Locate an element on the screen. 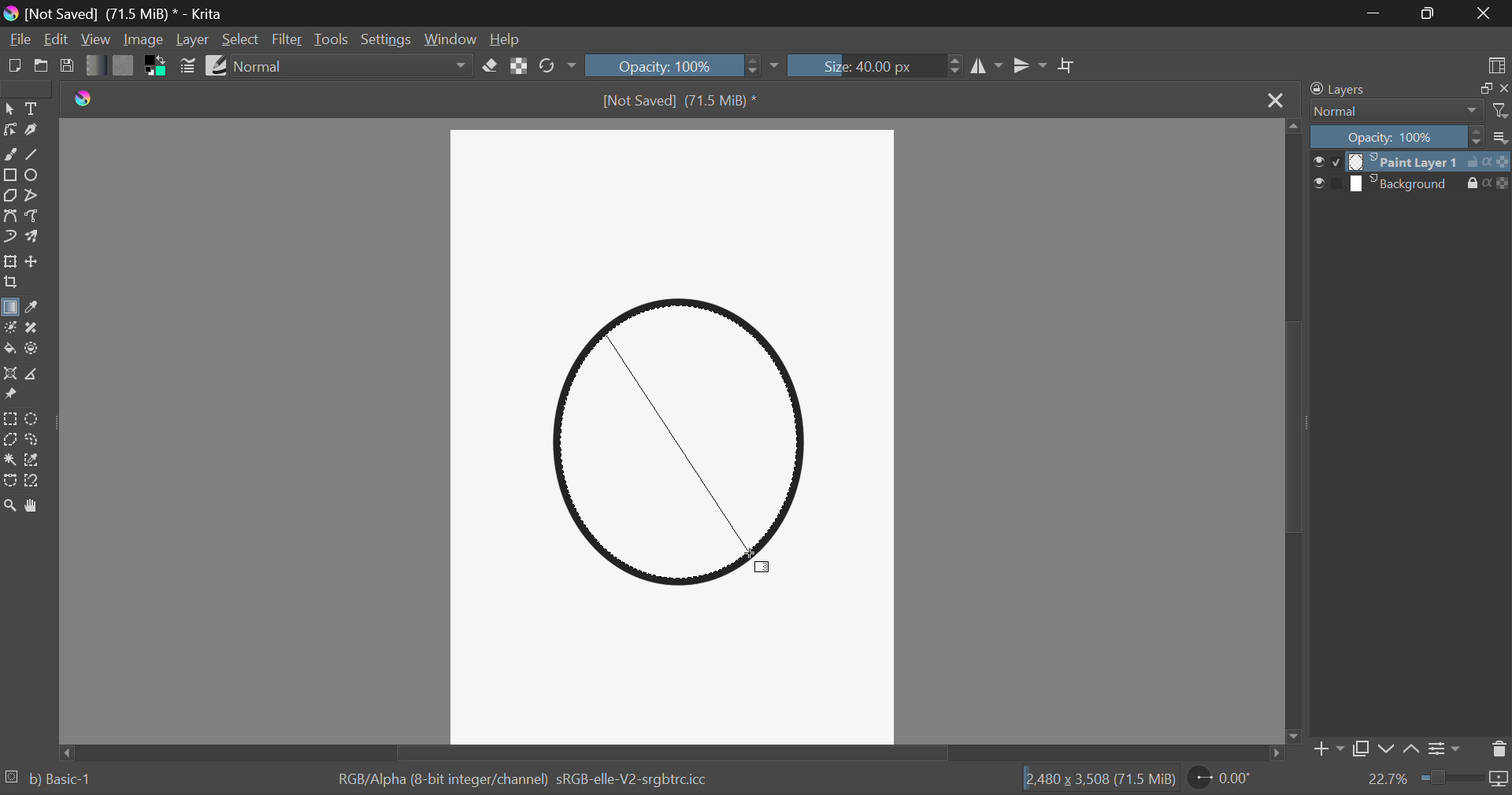 This screenshot has height=795, width=1512. more is located at coordinates (1500, 138).